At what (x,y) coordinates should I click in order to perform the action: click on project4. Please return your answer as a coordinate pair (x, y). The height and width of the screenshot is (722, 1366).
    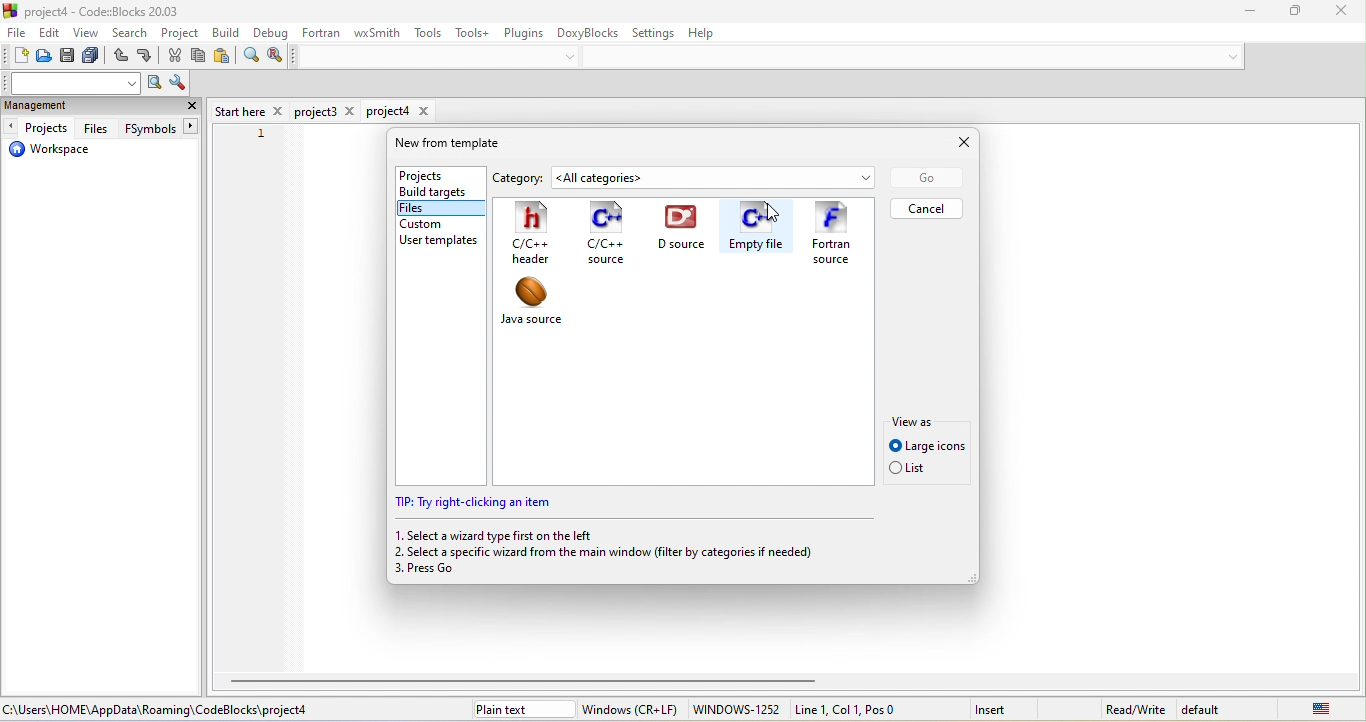
    Looking at the image, I should click on (399, 111).